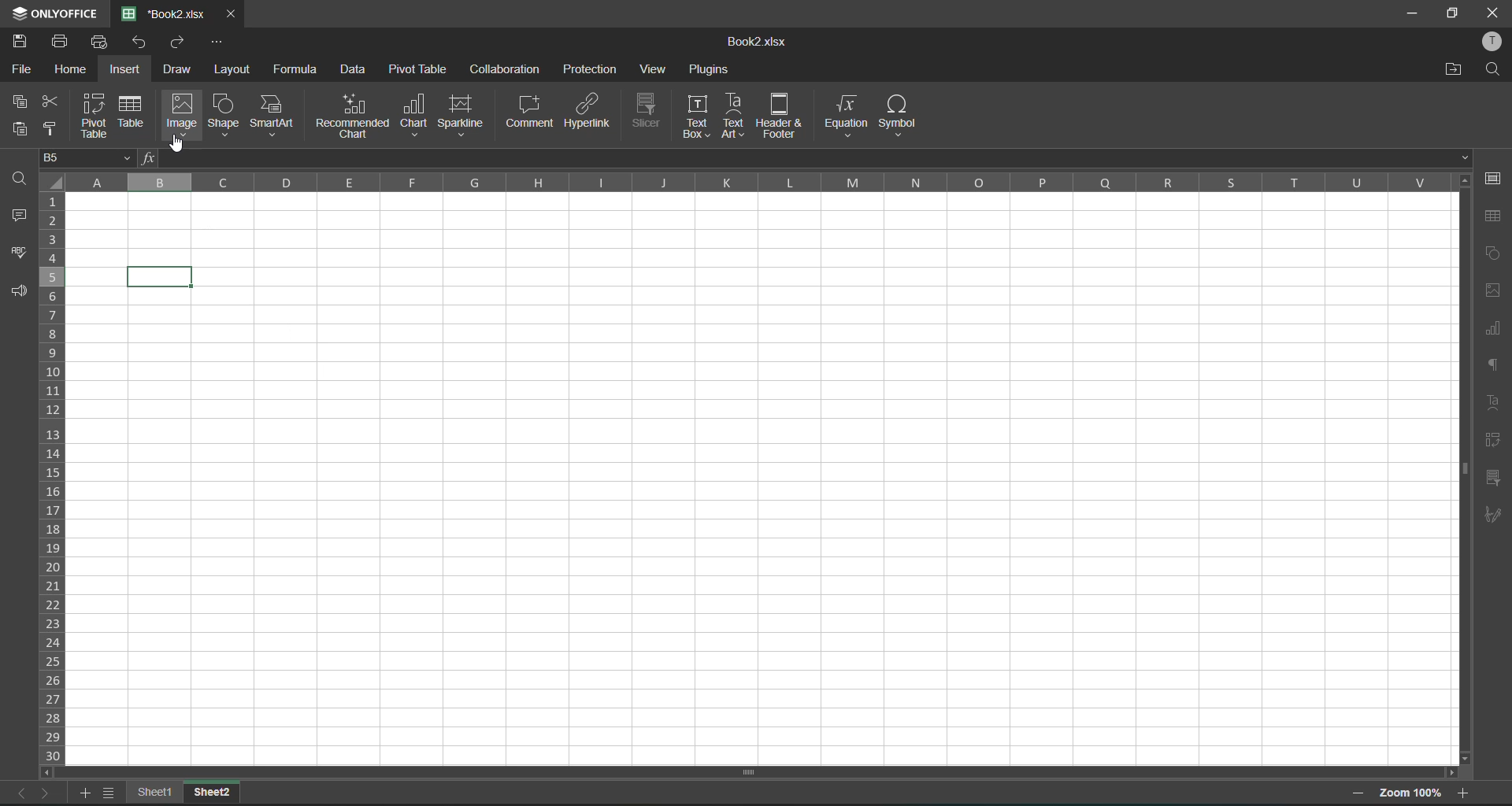  I want to click on symbol, so click(897, 116).